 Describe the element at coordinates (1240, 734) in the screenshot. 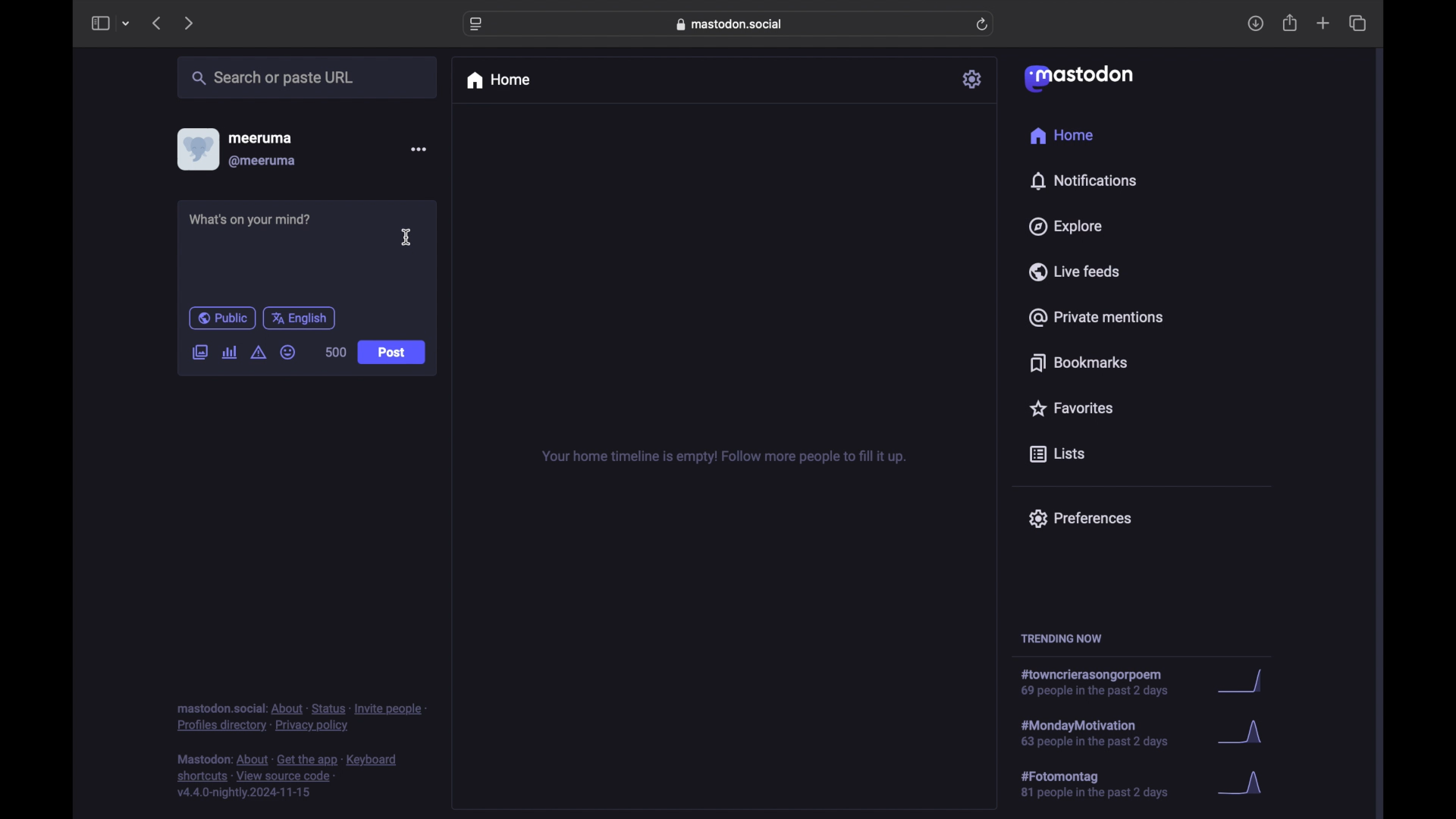

I see `graph` at that location.